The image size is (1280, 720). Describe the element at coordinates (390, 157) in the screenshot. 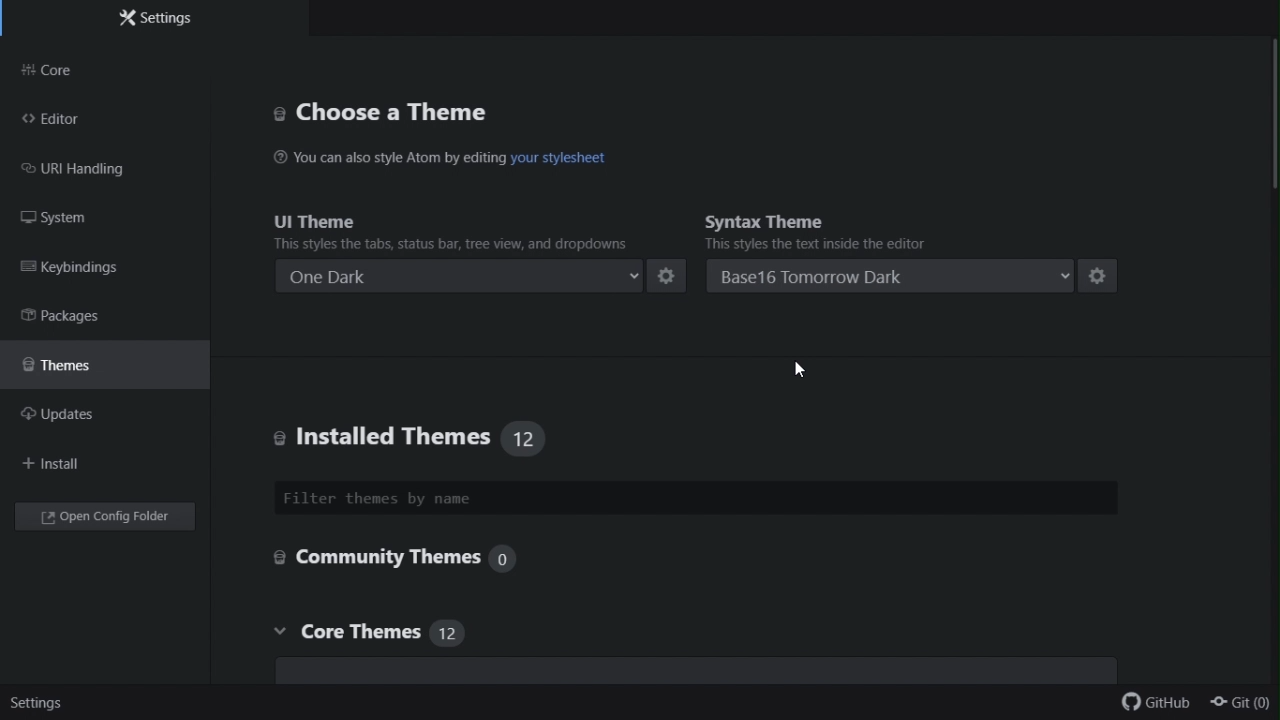

I see `You can also style Atom by editing` at that location.